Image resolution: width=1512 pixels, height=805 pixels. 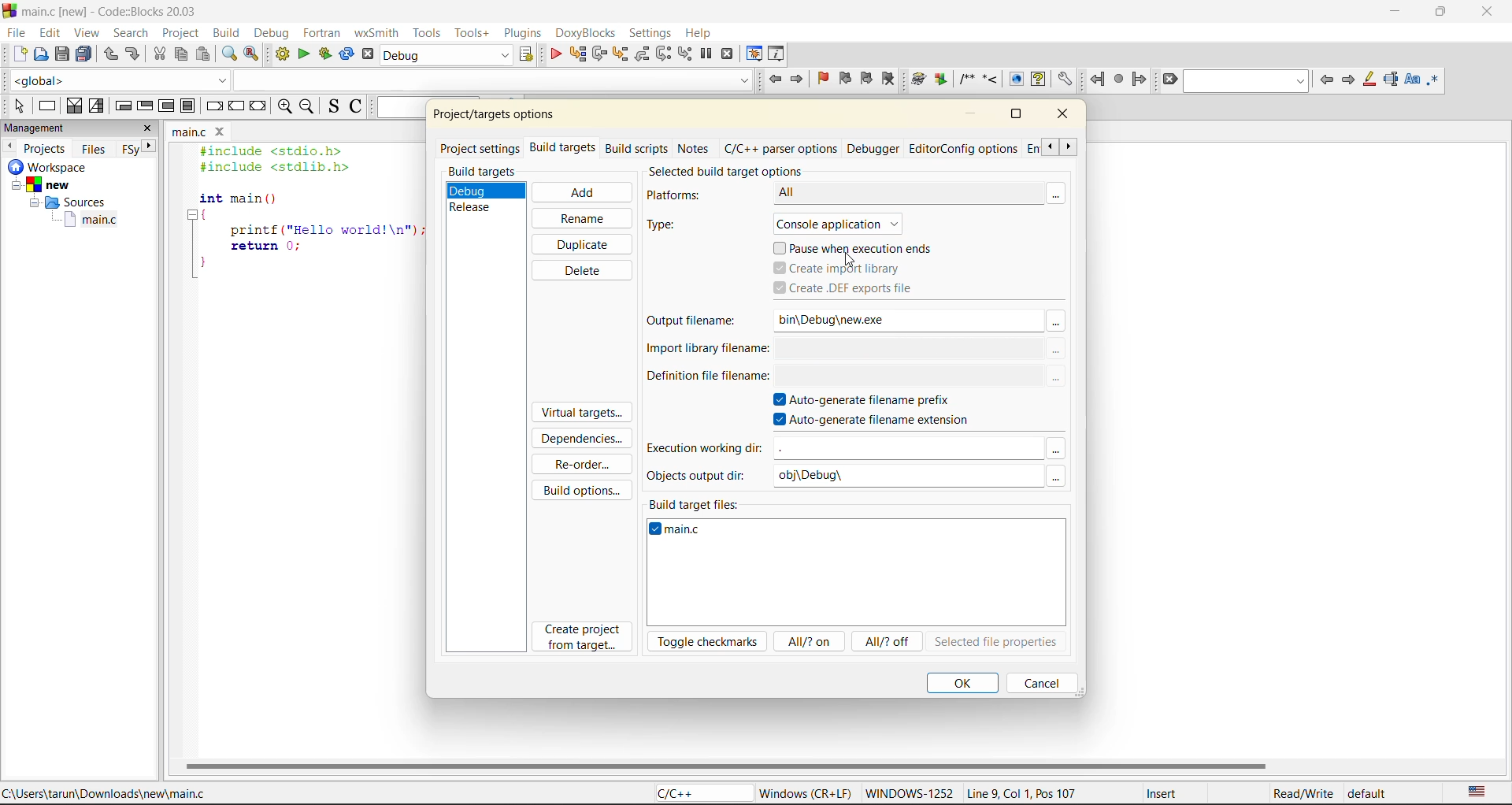 I want to click on continue instruction , so click(x=236, y=107).